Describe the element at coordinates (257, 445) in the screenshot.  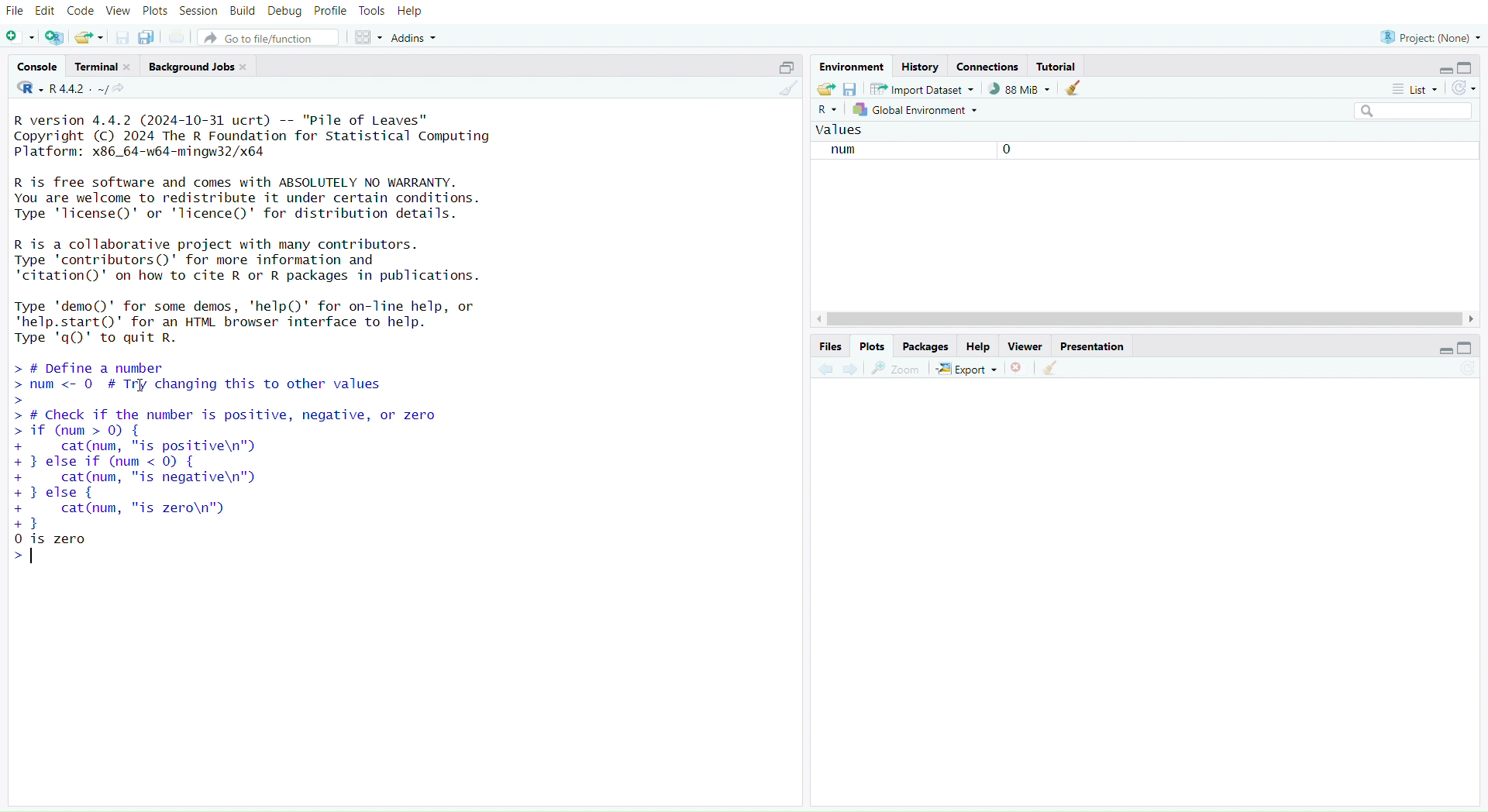
I see `> # Define a numbernum <- 0 # Try changing this to other values# Check if the number is positive, negative, or zeroif (num > 0) {cat(num, "is positive\n")} else if (num < 0) {cat(num, "is negative\n")} else {| cat(num, "is zero\n")}` at that location.